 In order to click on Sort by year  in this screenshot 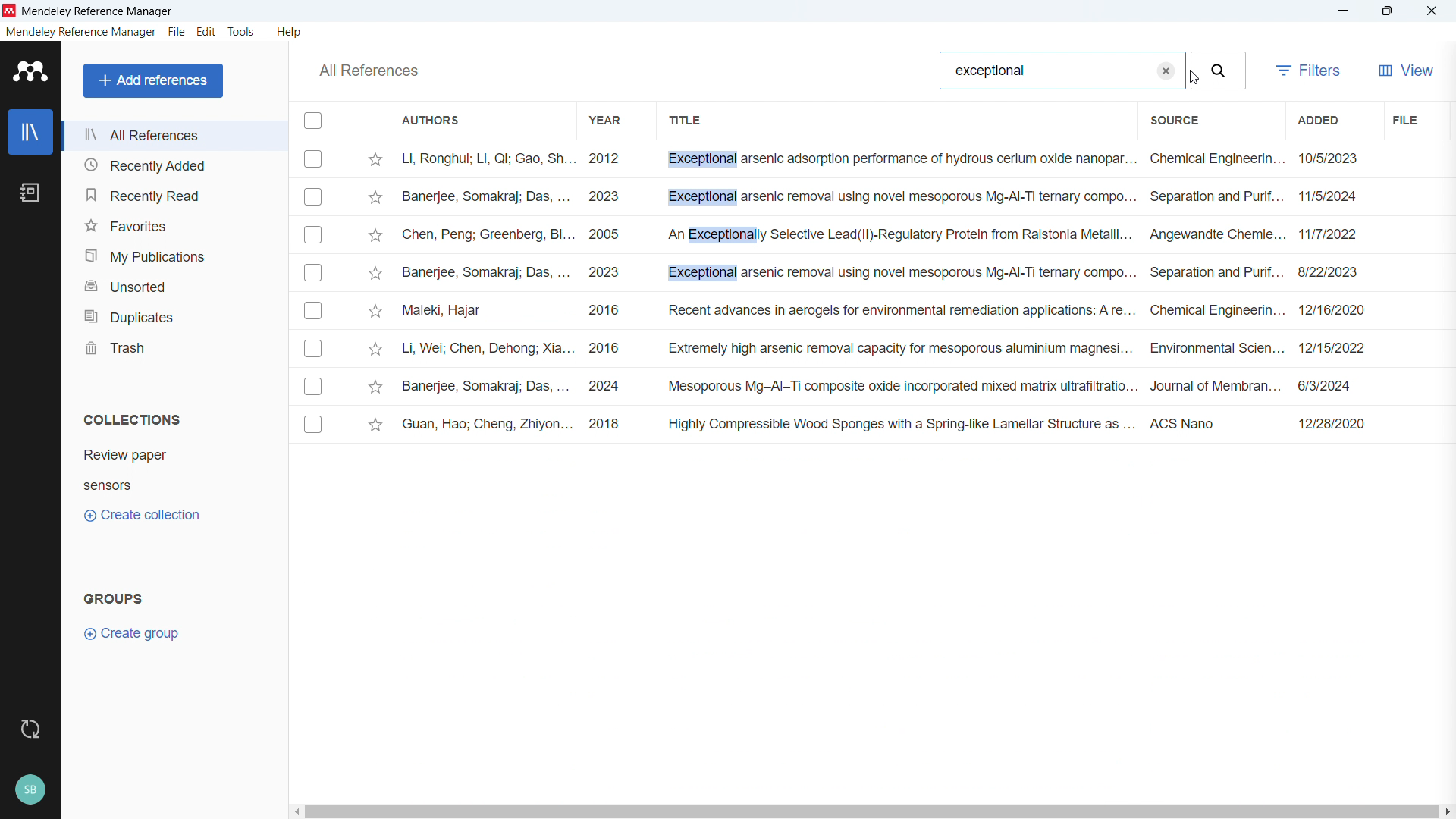, I will do `click(604, 121)`.